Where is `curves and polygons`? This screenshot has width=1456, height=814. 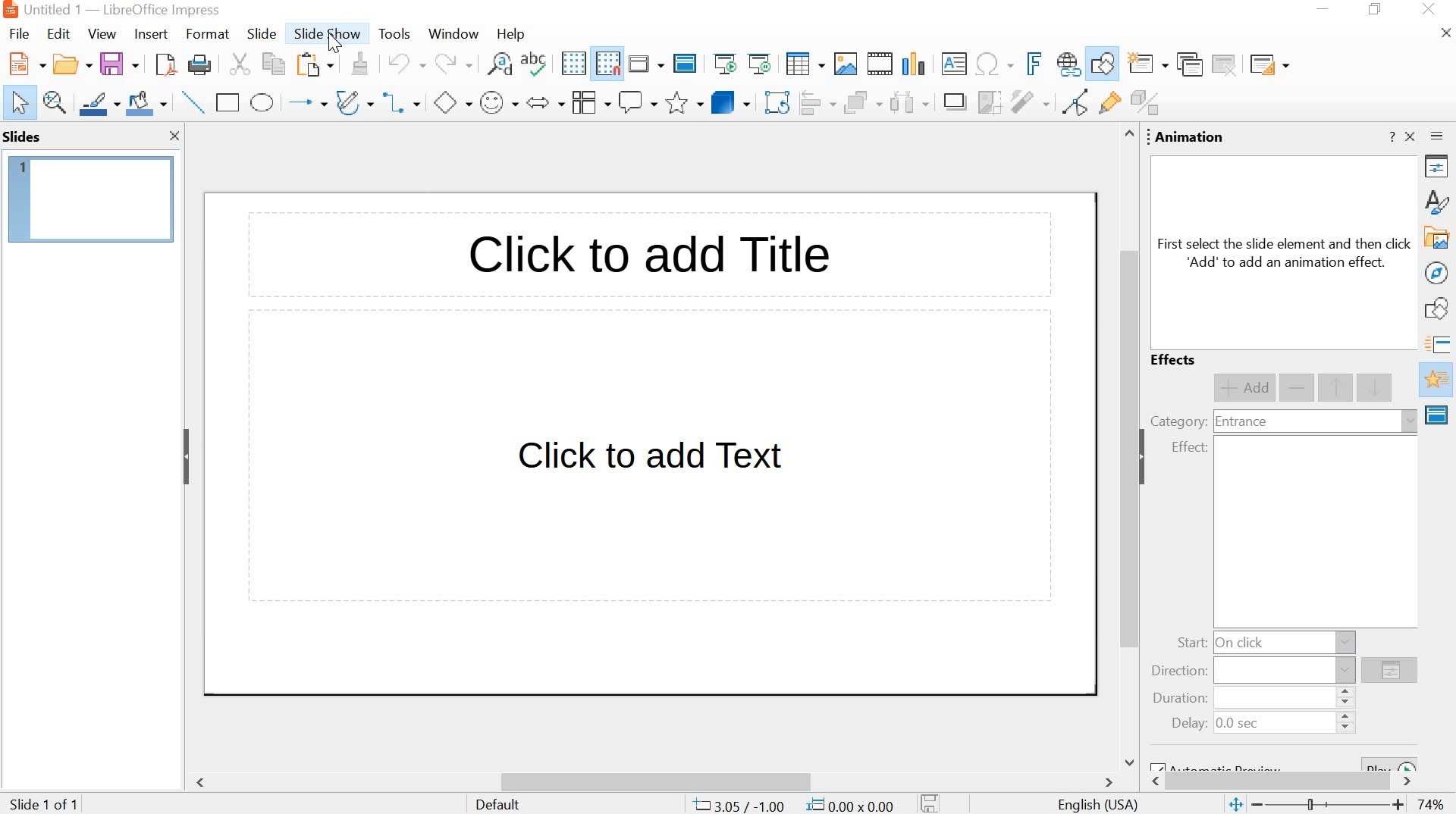
curves and polygons is located at coordinates (354, 102).